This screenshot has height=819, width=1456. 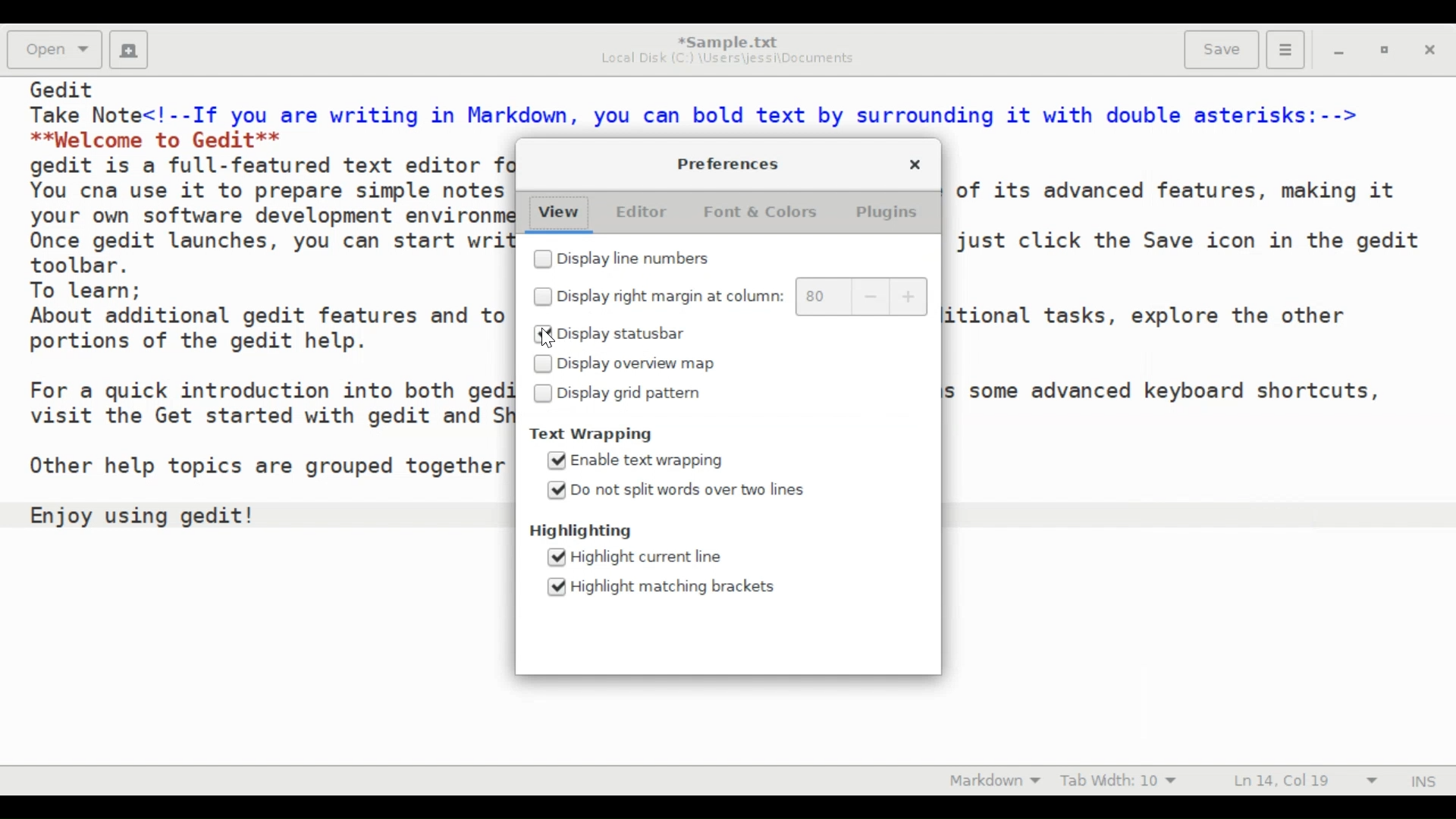 What do you see at coordinates (1116, 780) in the screenshot?
I see `Tab Width: 10` at bounding box center [1116, 780].